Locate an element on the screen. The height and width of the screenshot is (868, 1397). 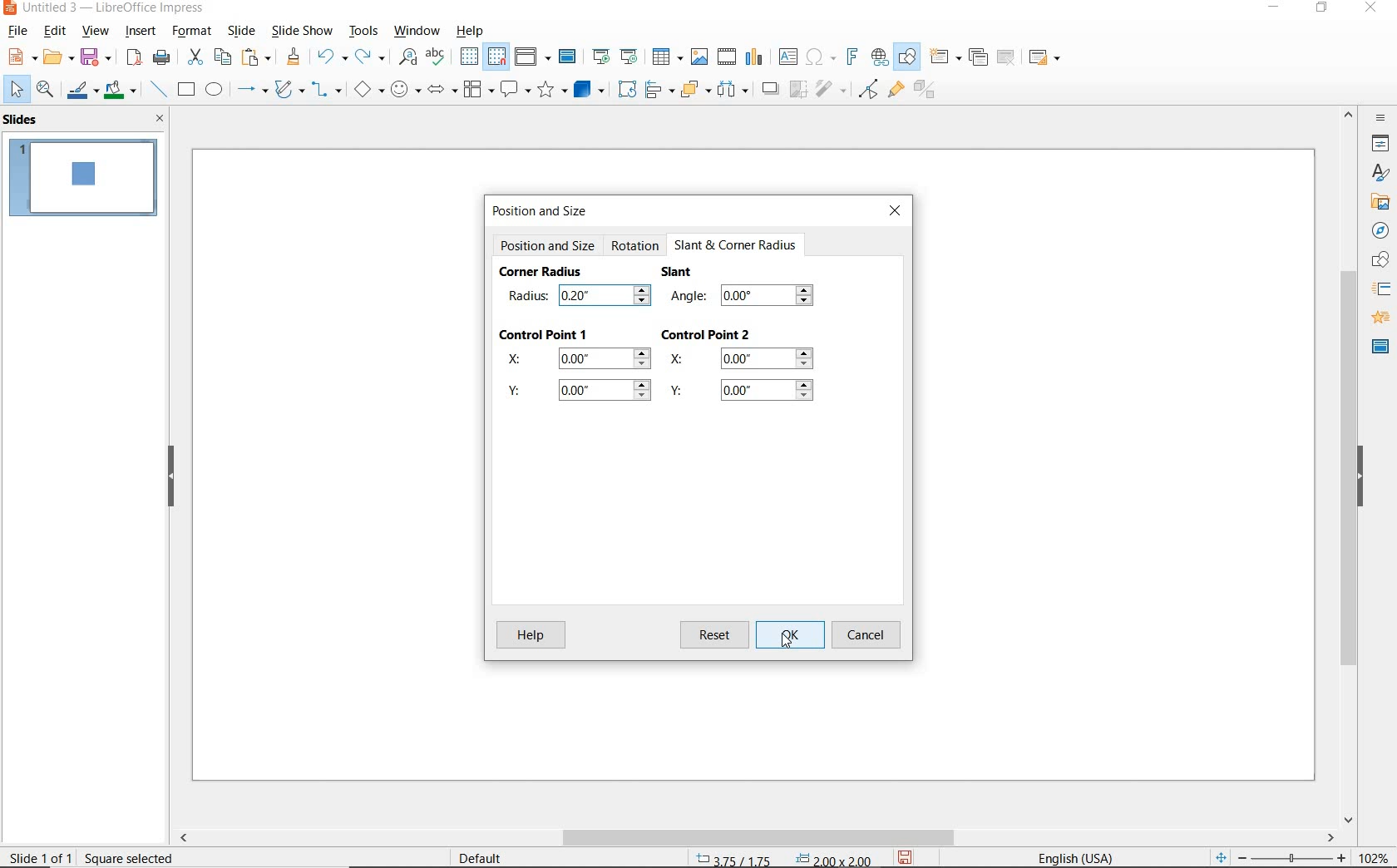
square selected is located at coordinates (131, 856).